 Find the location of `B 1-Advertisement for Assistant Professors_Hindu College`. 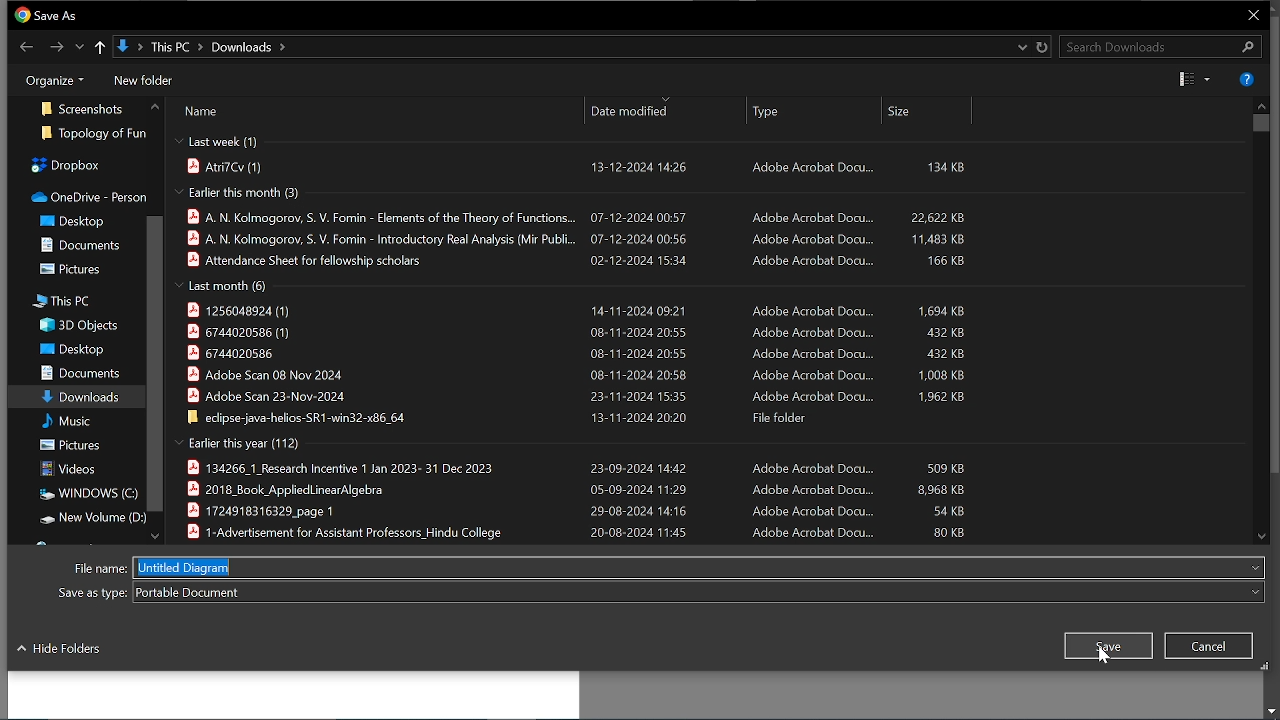

B 1-Advertisement for Assistant Professors_Hindu College is located at coordinates (346, 531).